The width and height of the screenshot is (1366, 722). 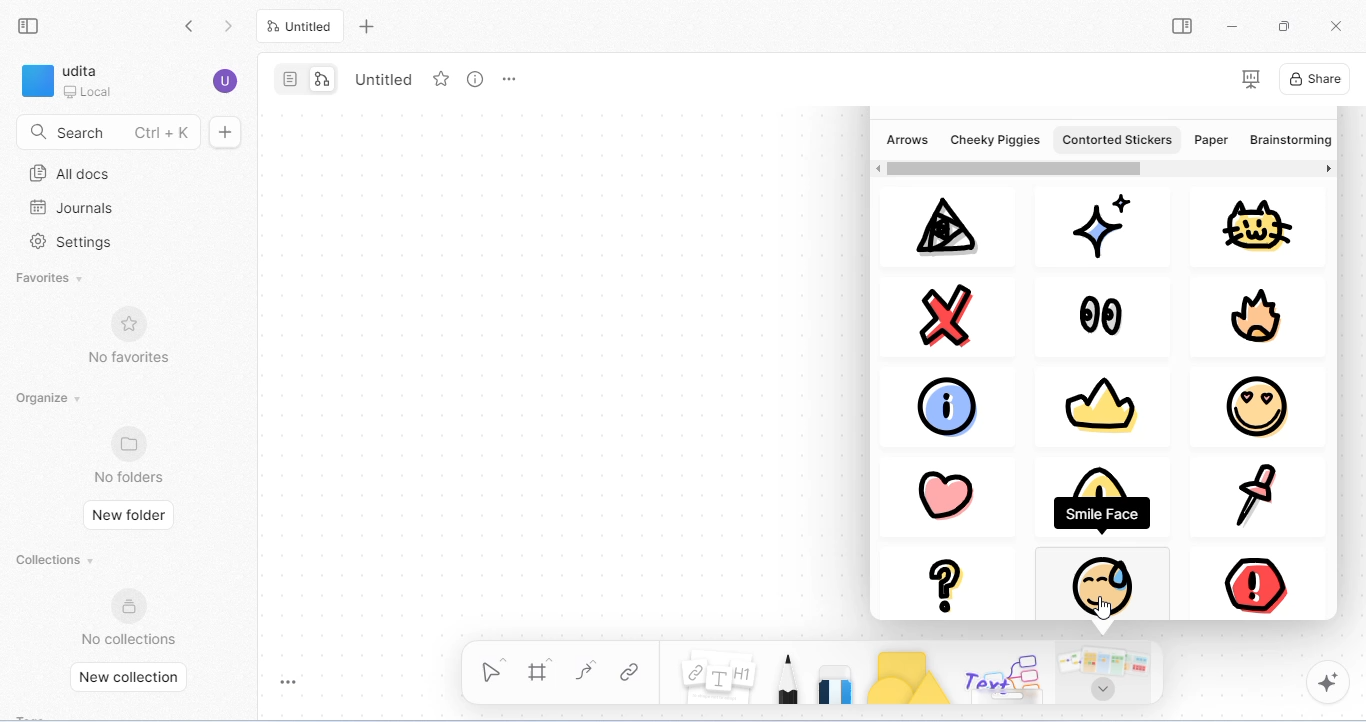 What do you see at coordinates (1110, 676) in the screenshot?
I see `arrows and more` at bounding box center [1110, 676].